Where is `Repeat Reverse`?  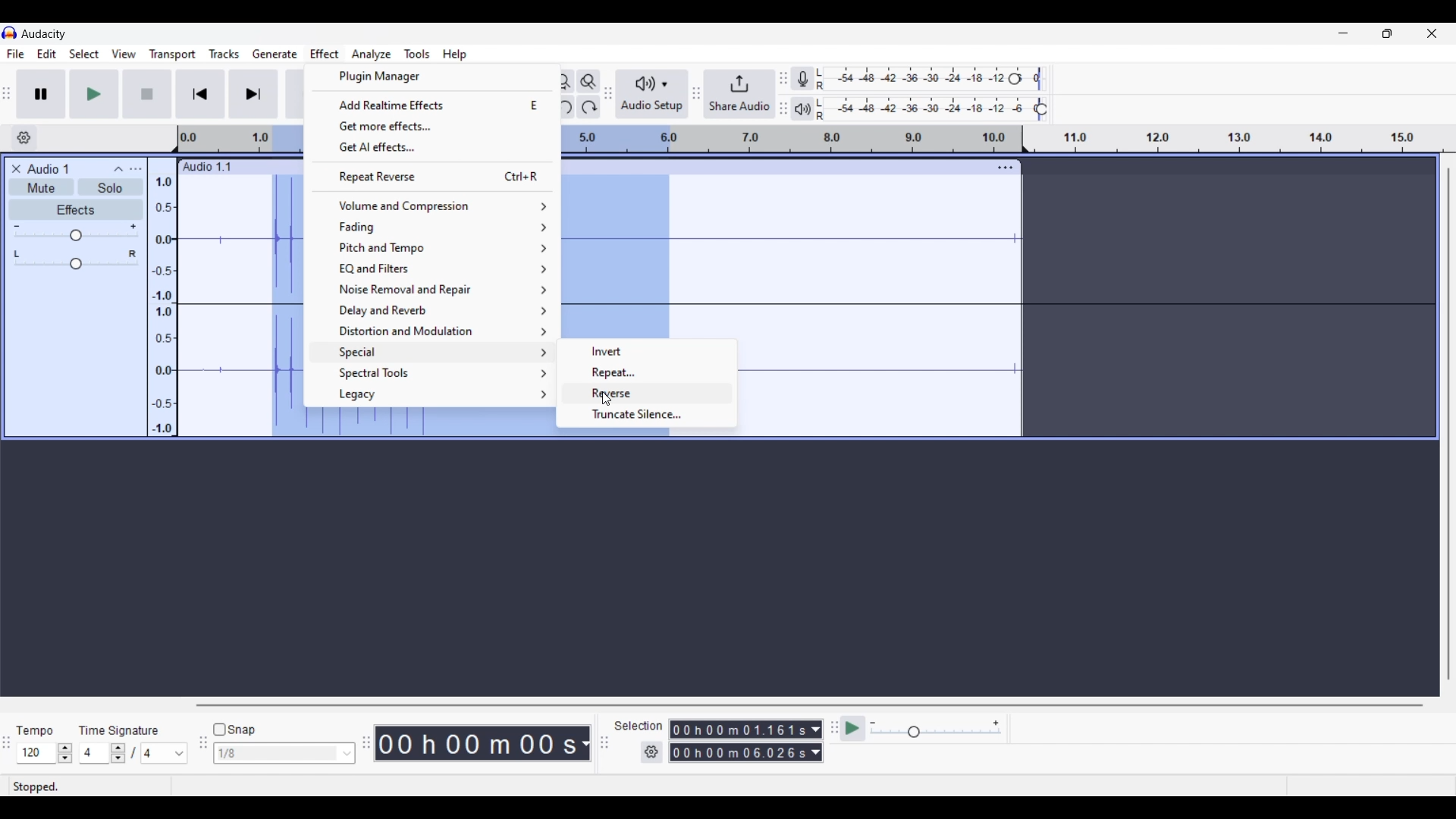 Repeat Reverse is located at coordinates (431, 176).